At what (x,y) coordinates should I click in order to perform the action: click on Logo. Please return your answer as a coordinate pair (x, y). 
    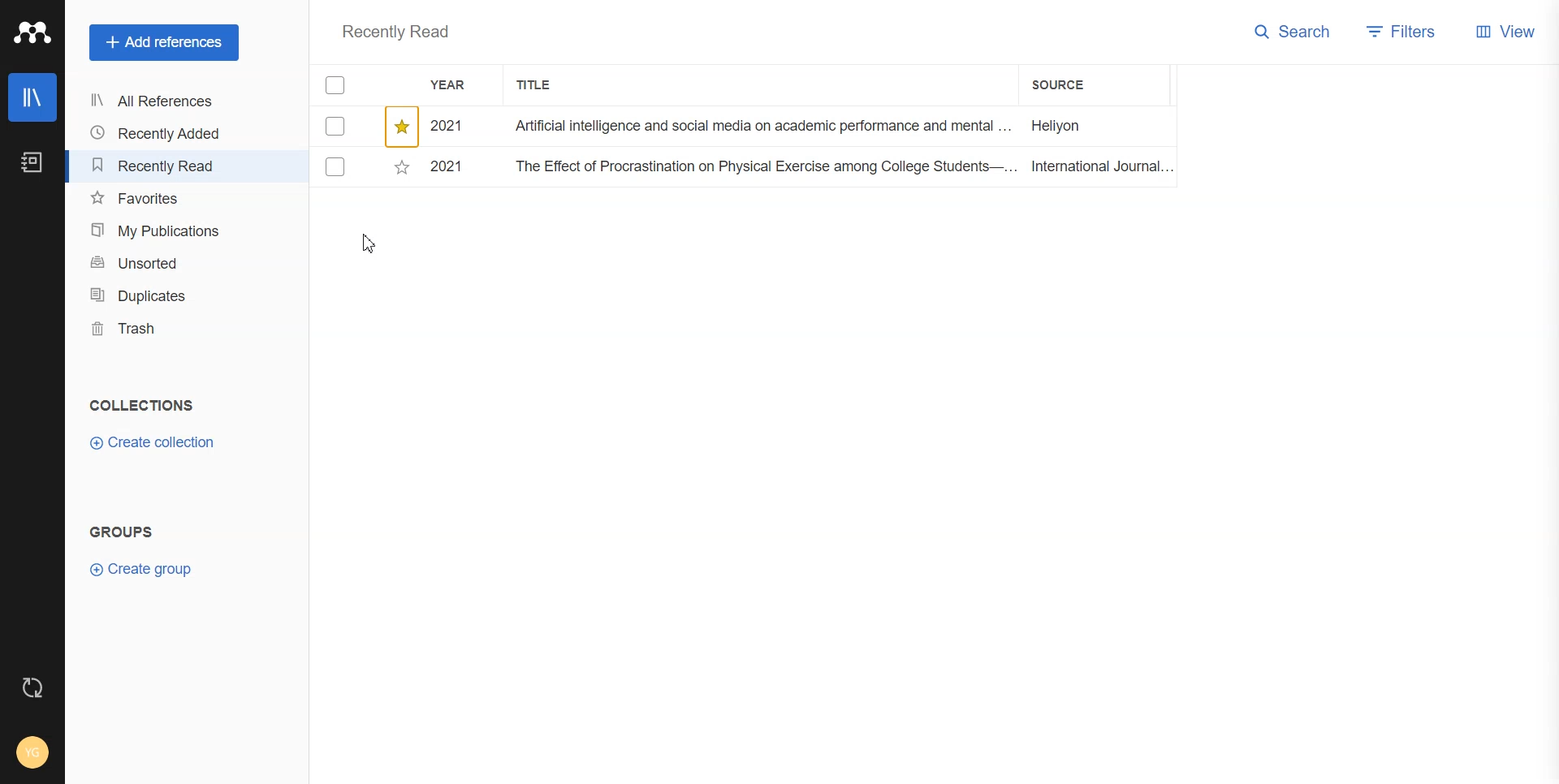
    Looking at the image, I should click on (31, 32).